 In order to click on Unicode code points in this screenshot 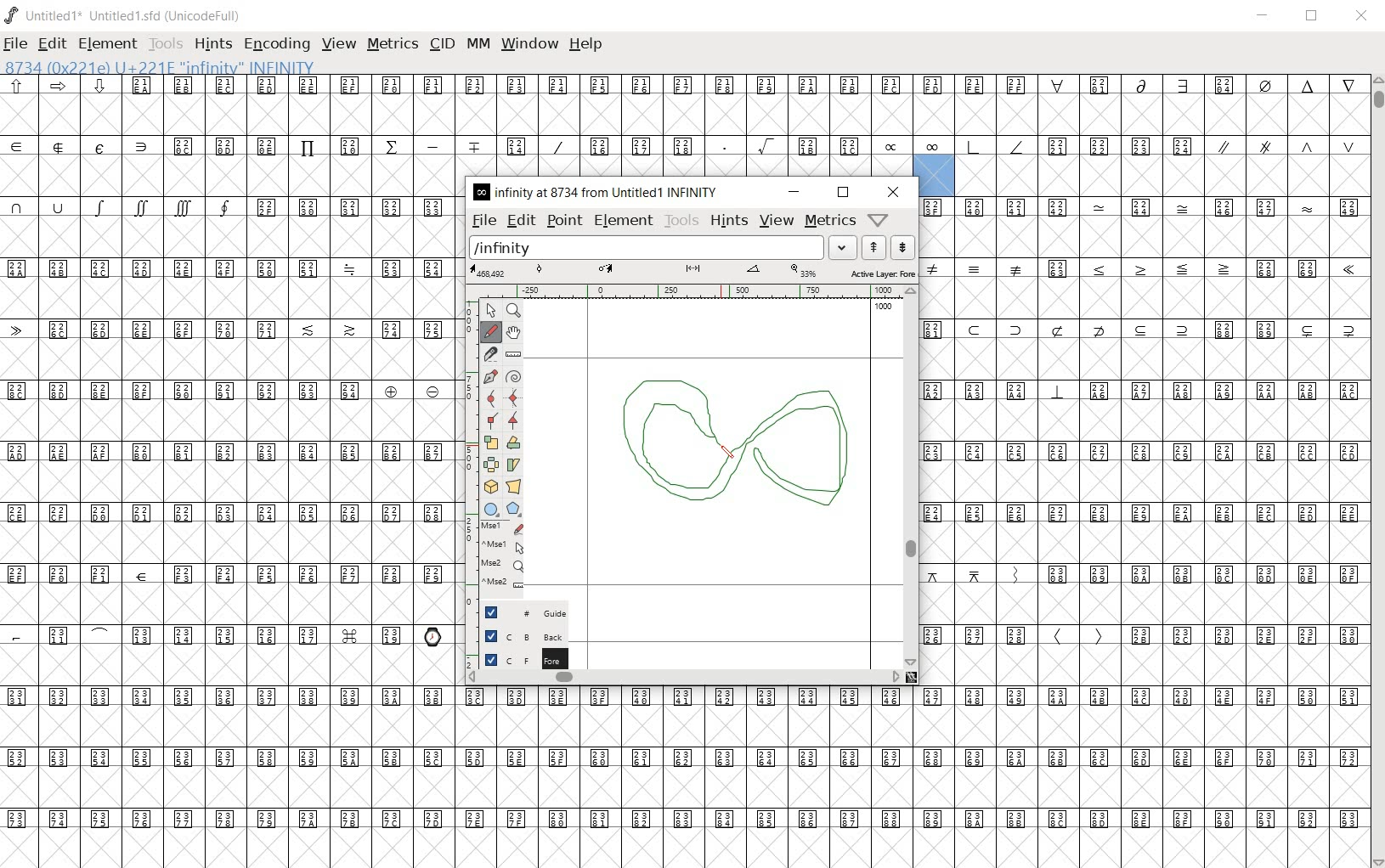, I will do `click(740, 85)`.